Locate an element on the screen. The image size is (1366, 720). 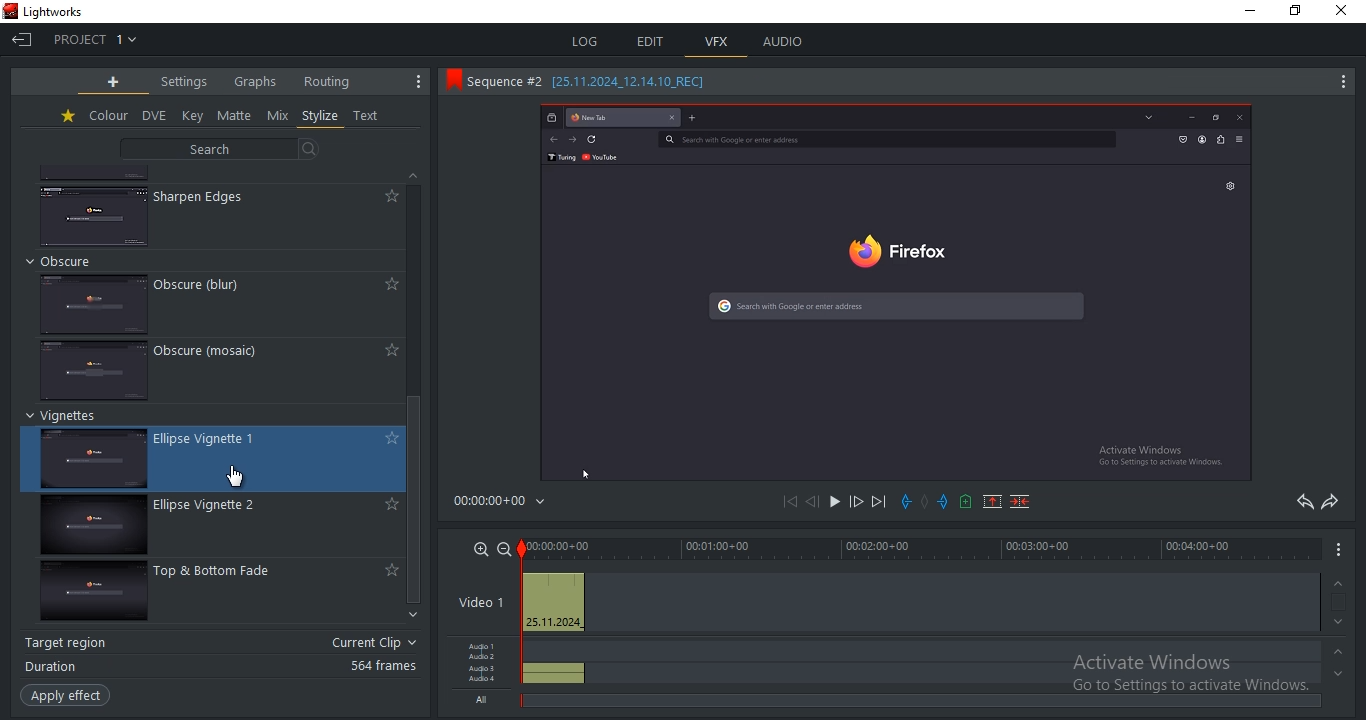
Restore is located at coordinates (1301, 9).